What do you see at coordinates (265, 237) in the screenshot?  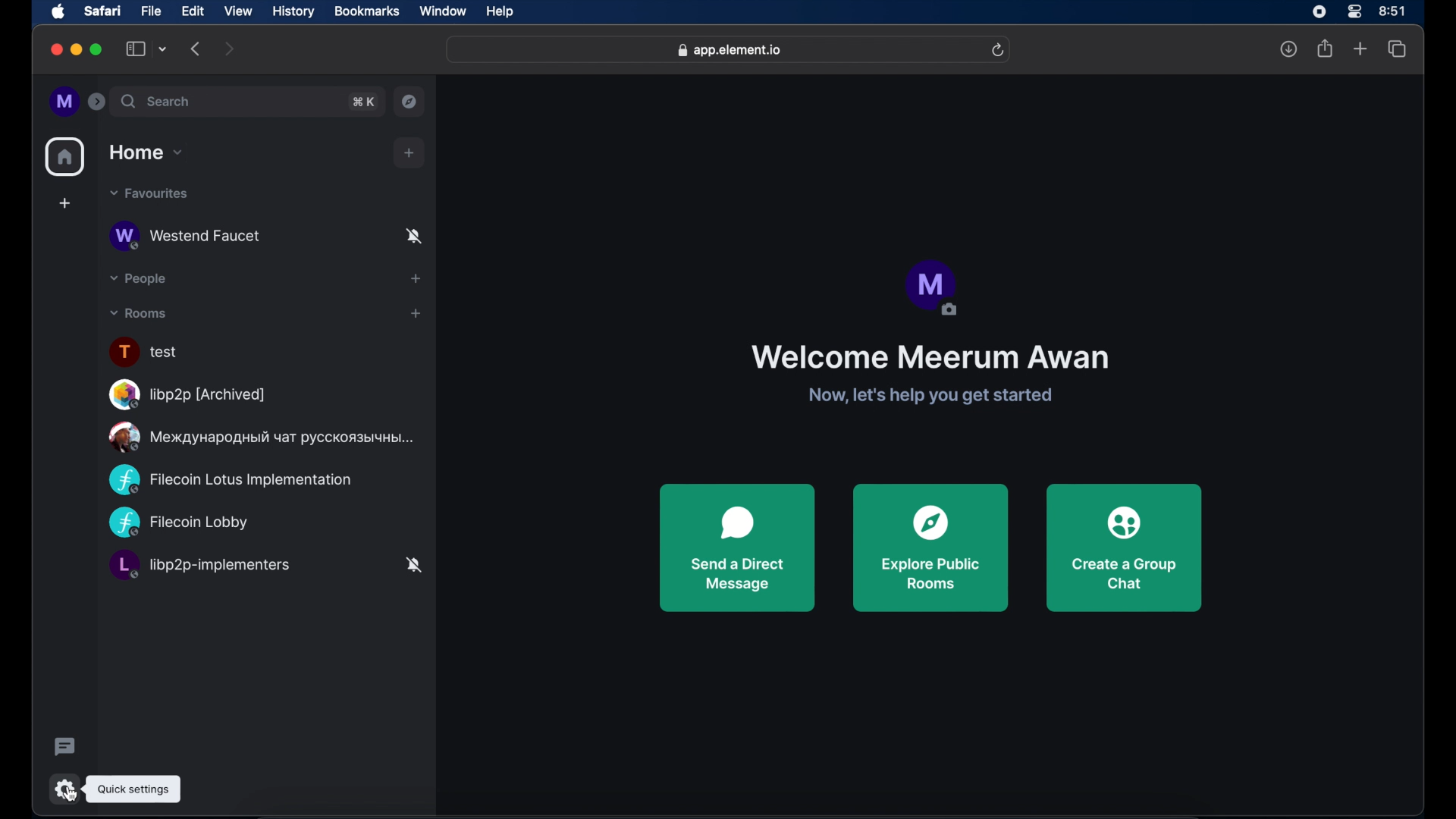 I see `public room` at bounding box center [265, 237].